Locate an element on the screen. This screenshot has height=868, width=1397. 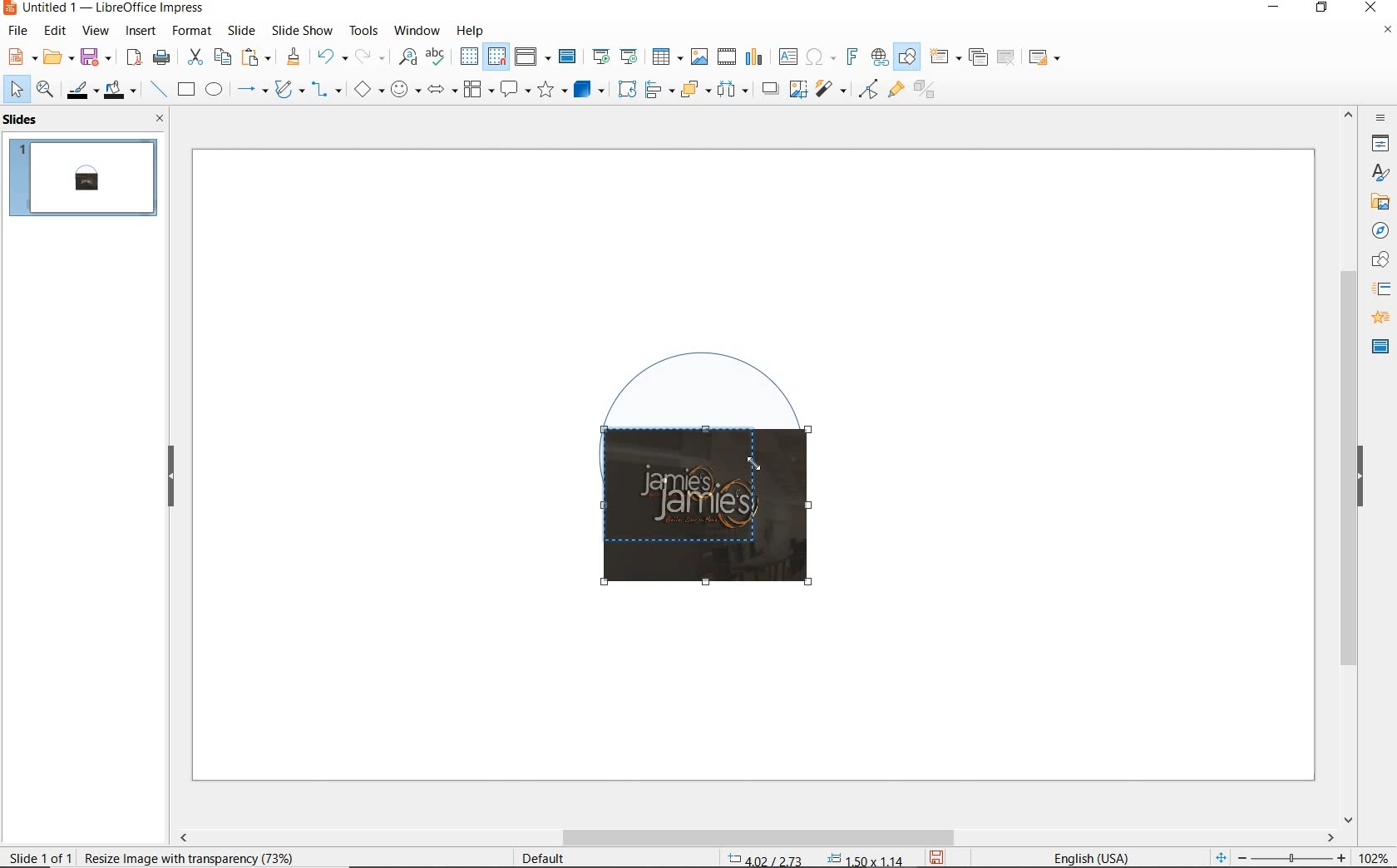
hide is located at coordinates (171, 477).